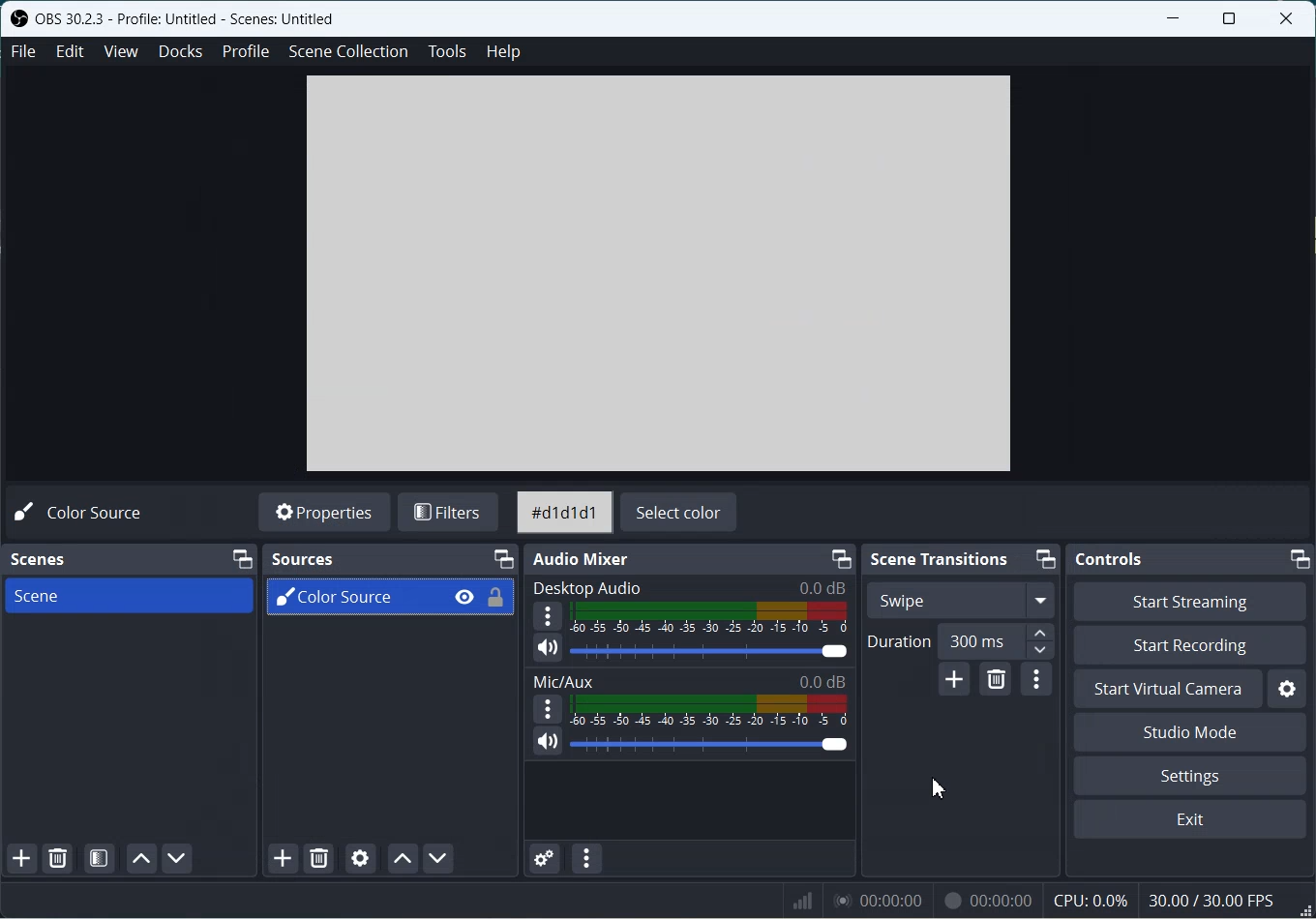 This screenshot has width=1316, height=919. Describe the element at coordinates (658, 273) in the screenshot. I see `Preview window` at that location.